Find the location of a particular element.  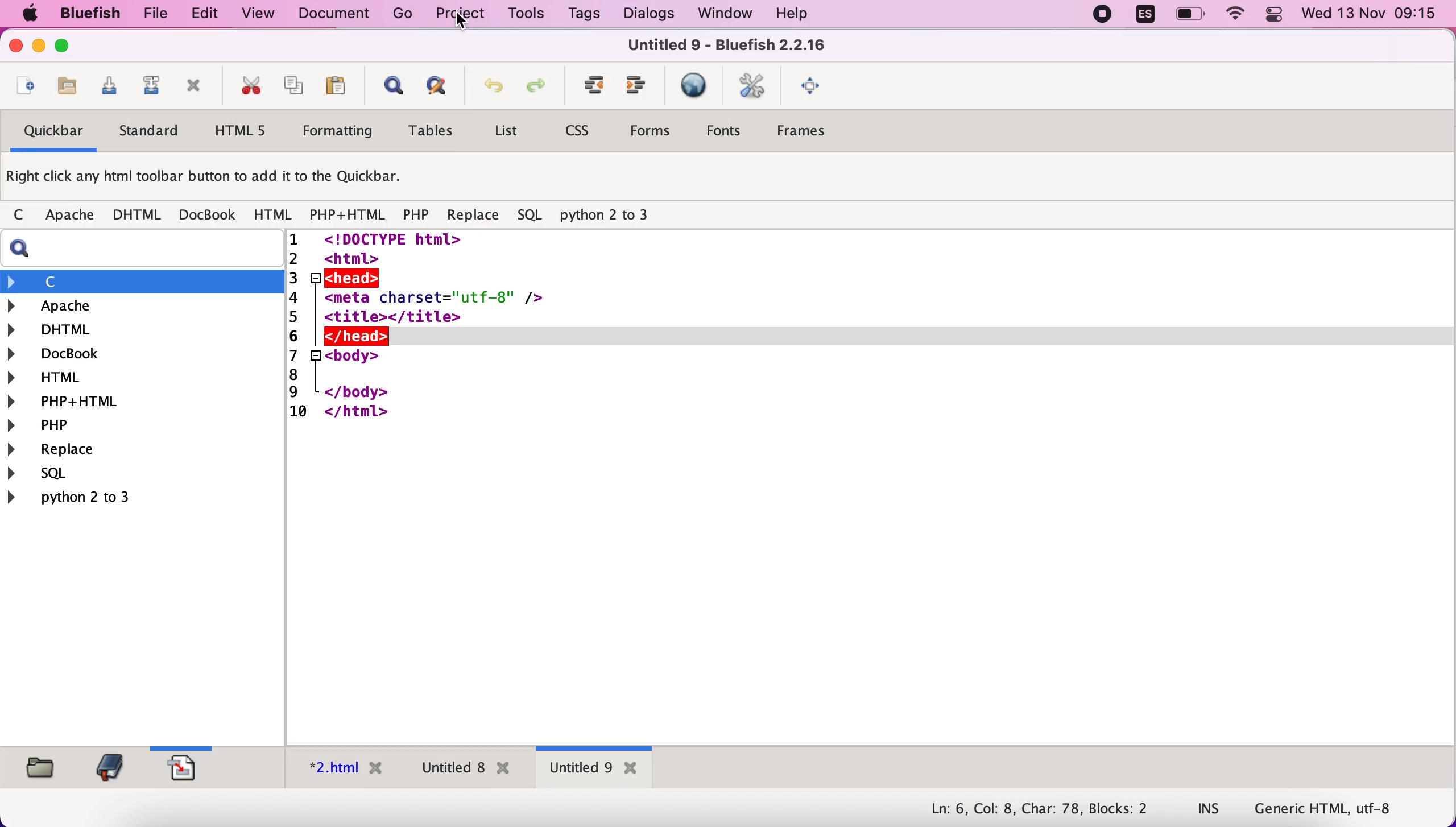

css is located at coordinates (581, 134).